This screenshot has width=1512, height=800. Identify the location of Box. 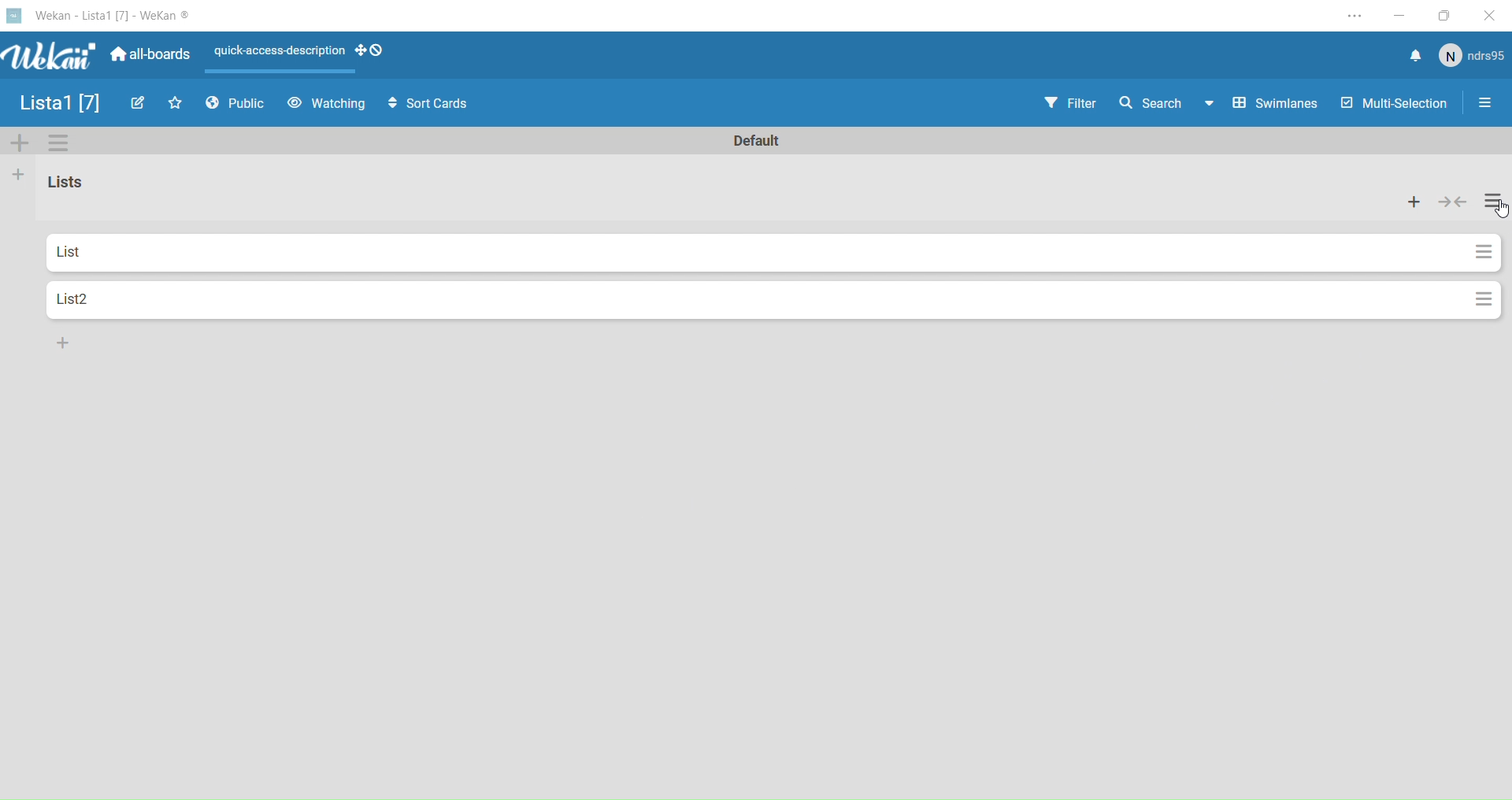
(1443, 15).